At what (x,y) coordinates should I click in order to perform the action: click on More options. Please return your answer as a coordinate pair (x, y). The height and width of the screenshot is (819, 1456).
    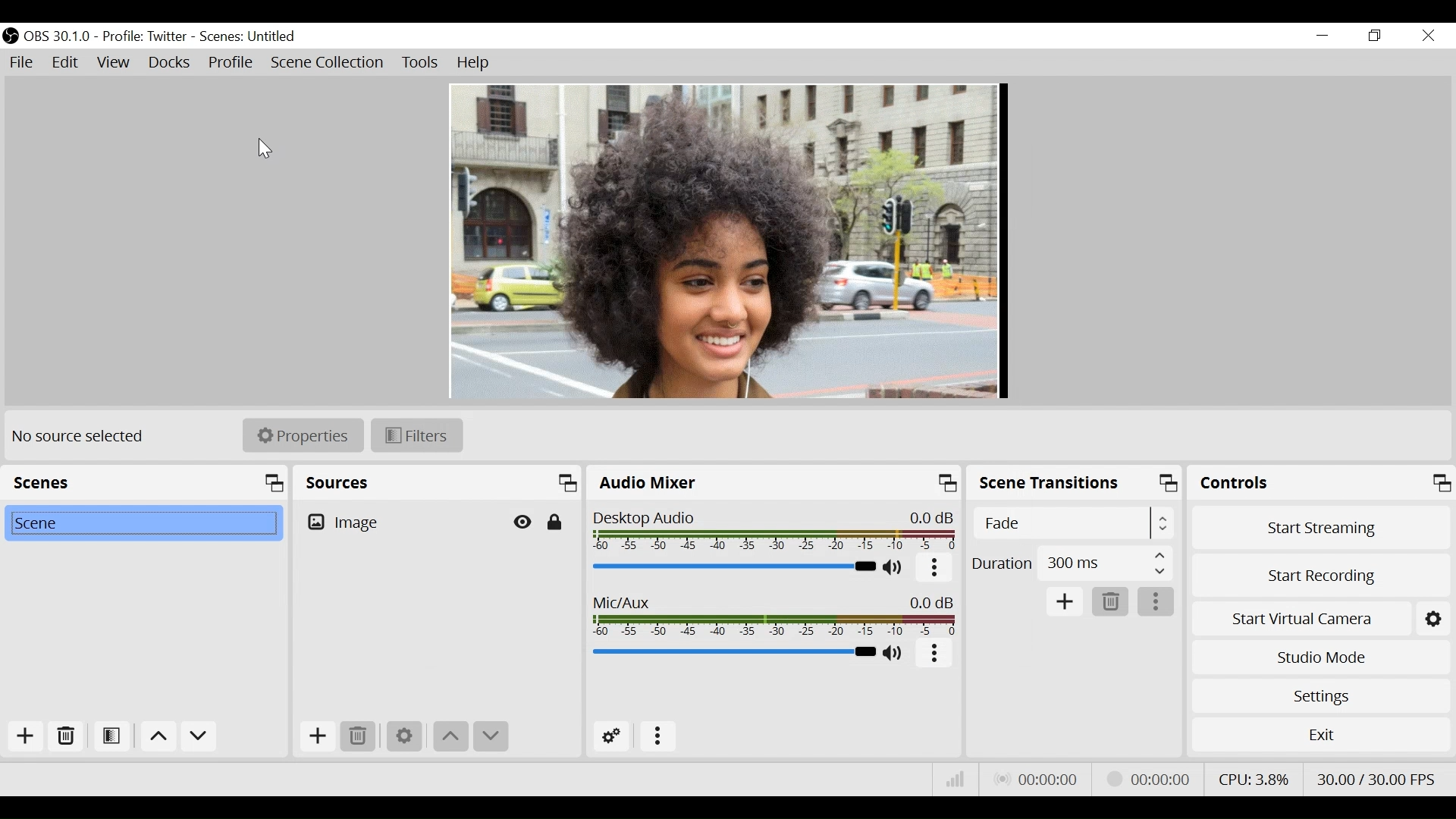
    Looking at the image, I should click on (1156, 602).